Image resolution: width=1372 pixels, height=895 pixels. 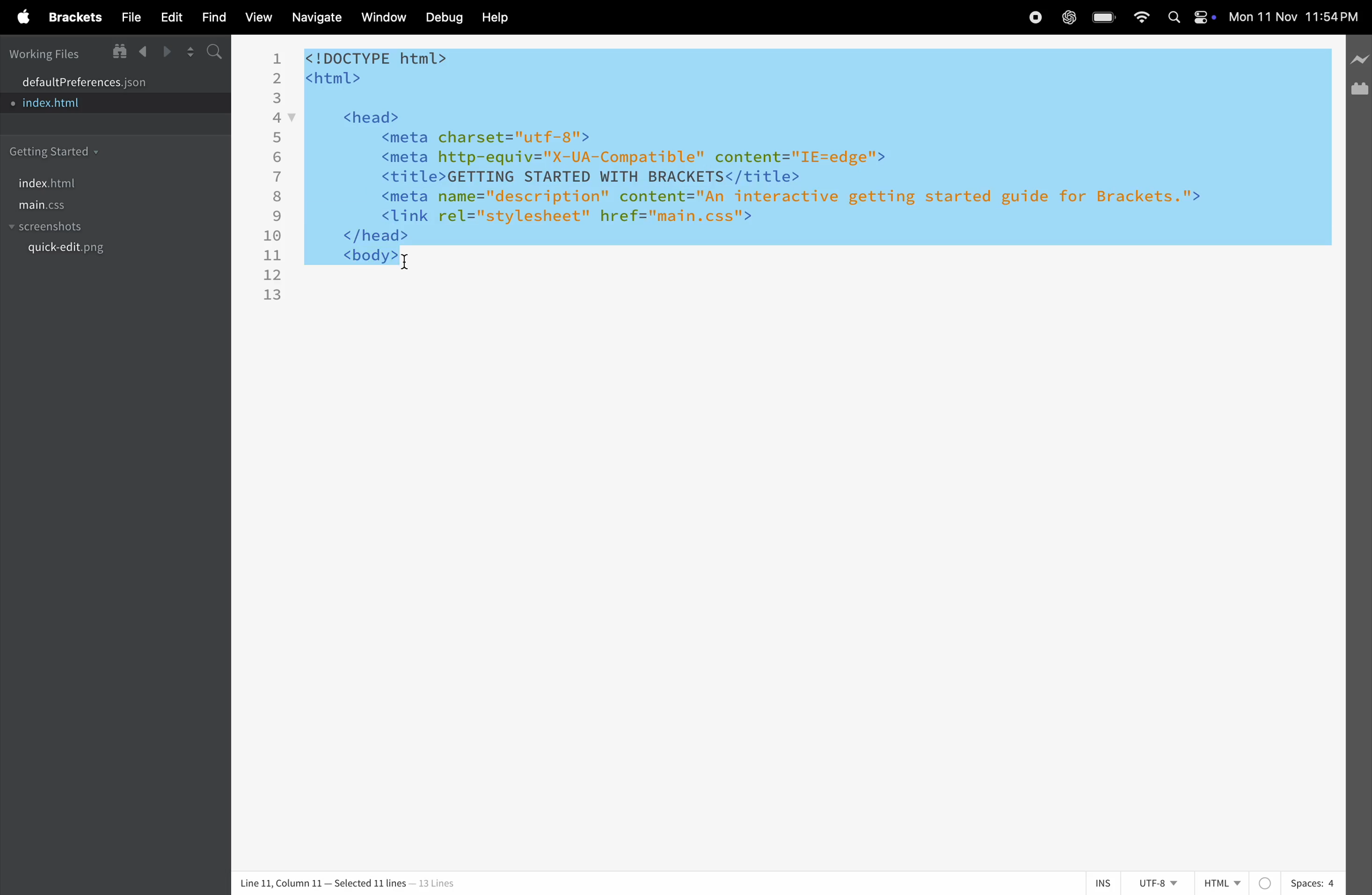 I want to click on ins, so click(x=1103, y=882).